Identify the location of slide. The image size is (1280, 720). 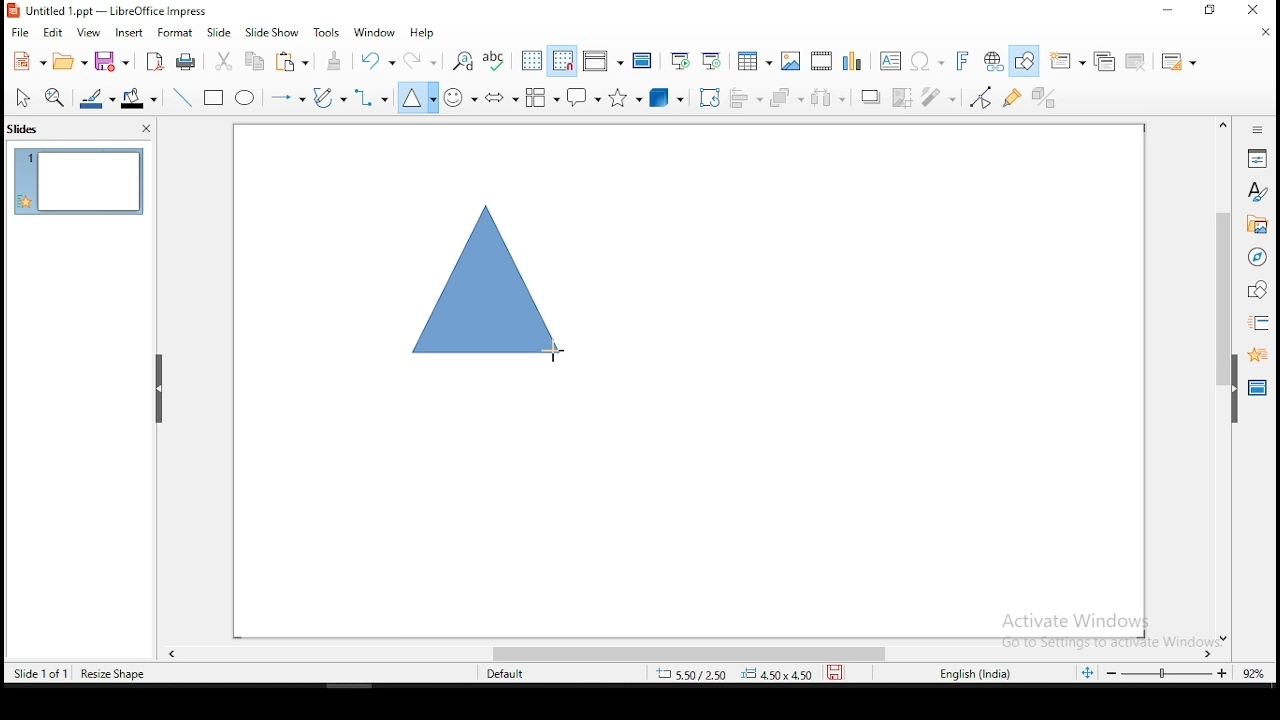
(78, 180).